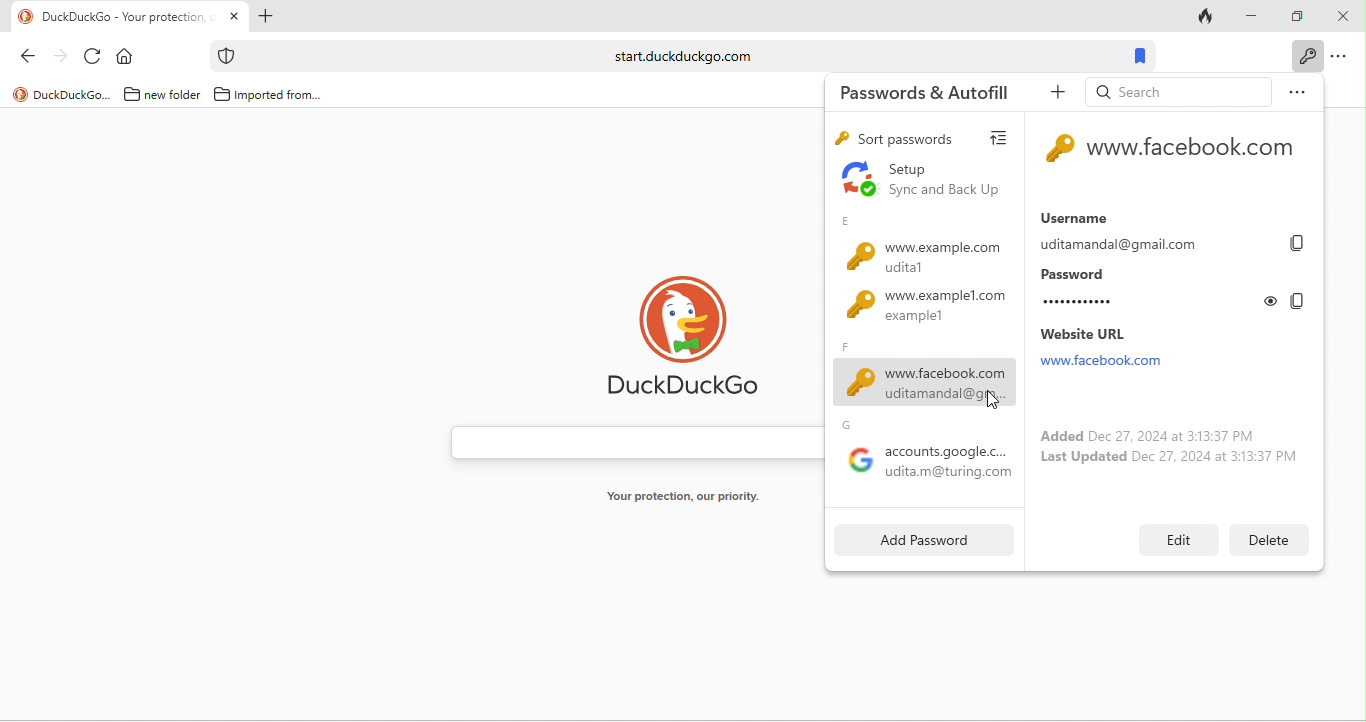 This screenshot has width=1366, height=722. I want to click on duckduckgo..., so click(62, 94).